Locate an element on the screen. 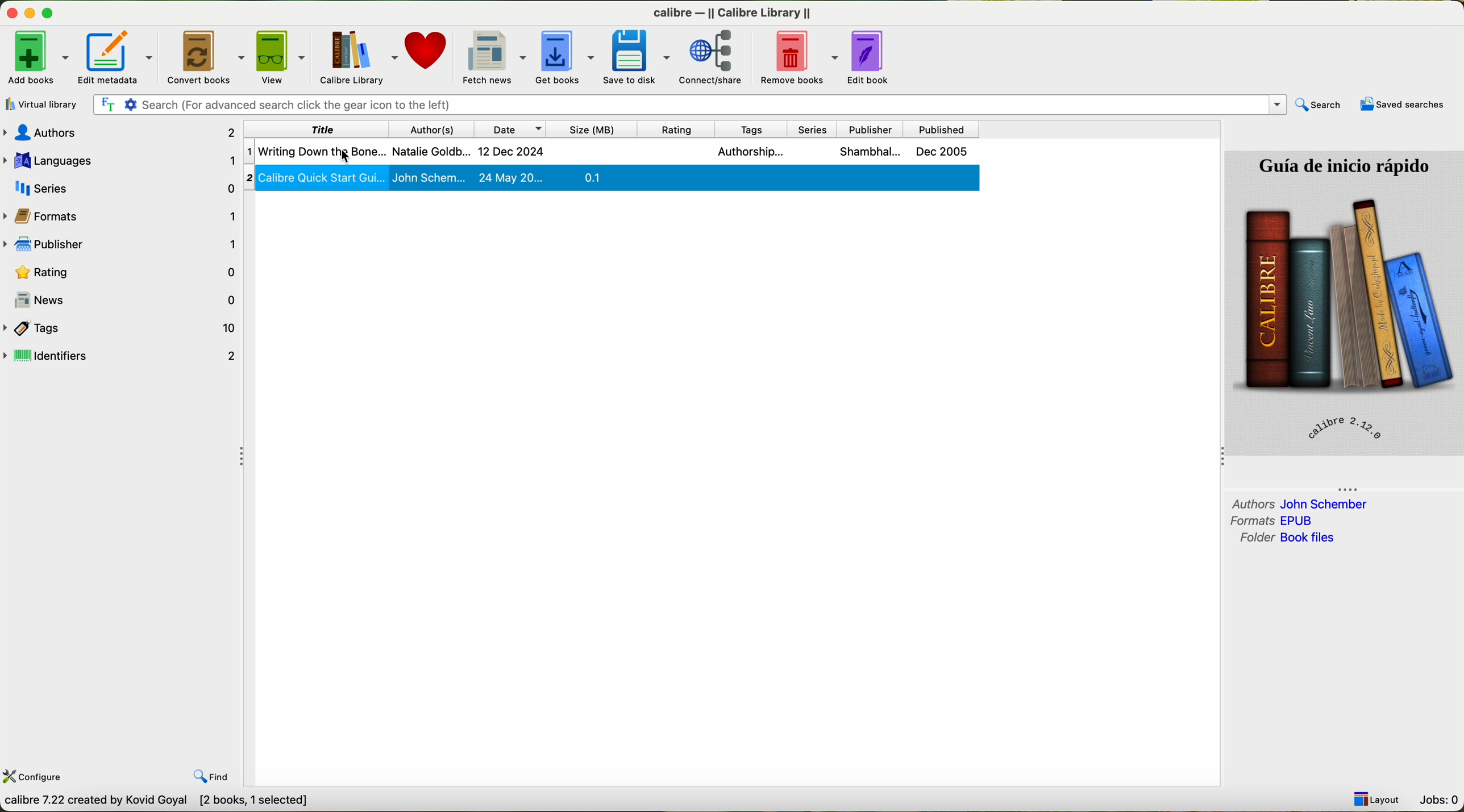 The width and height of the screenshot is (1464, 812). convert books is located at coordinates (207, 57).